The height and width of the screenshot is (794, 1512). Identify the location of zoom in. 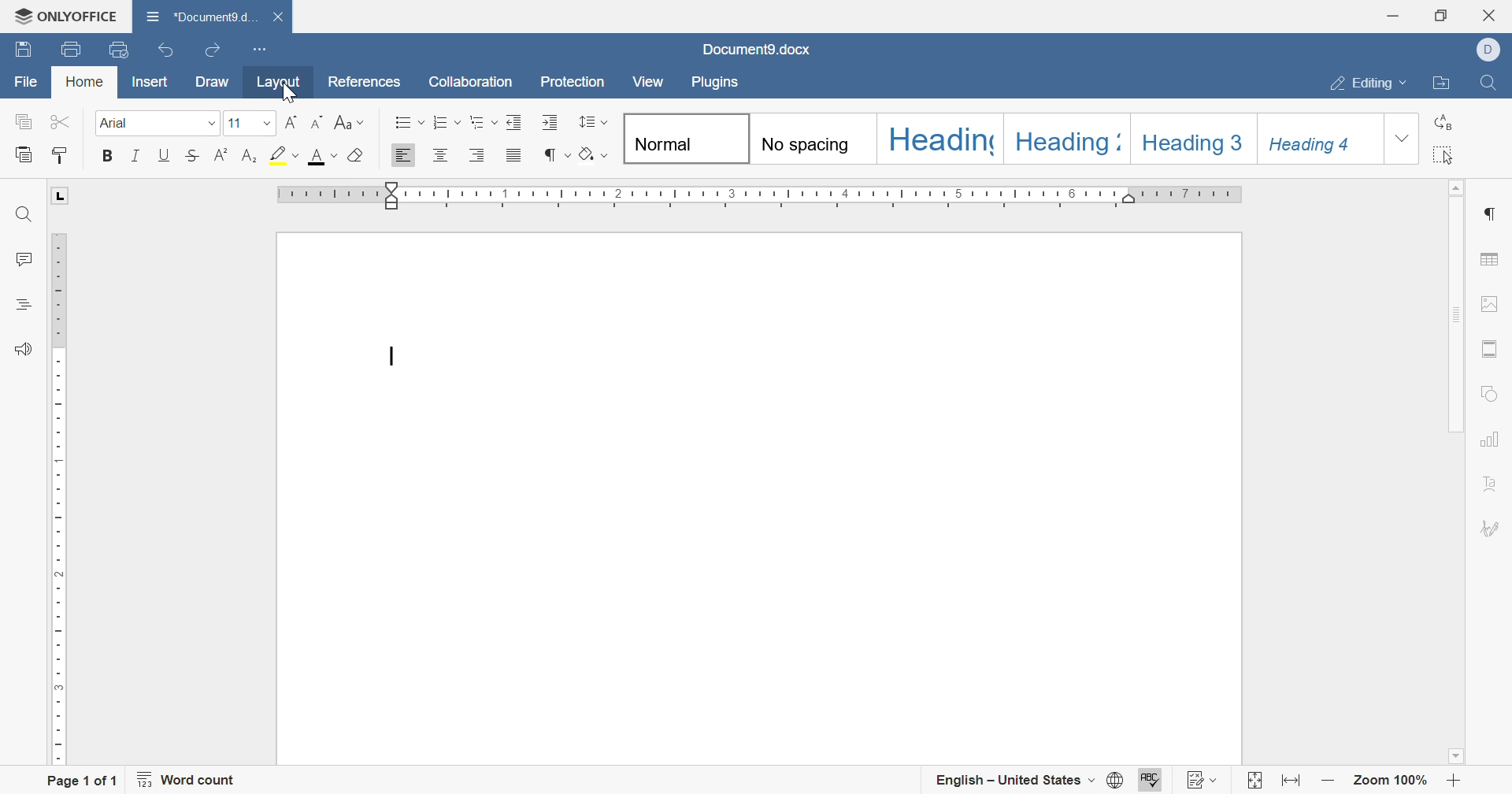
(1454, 783).